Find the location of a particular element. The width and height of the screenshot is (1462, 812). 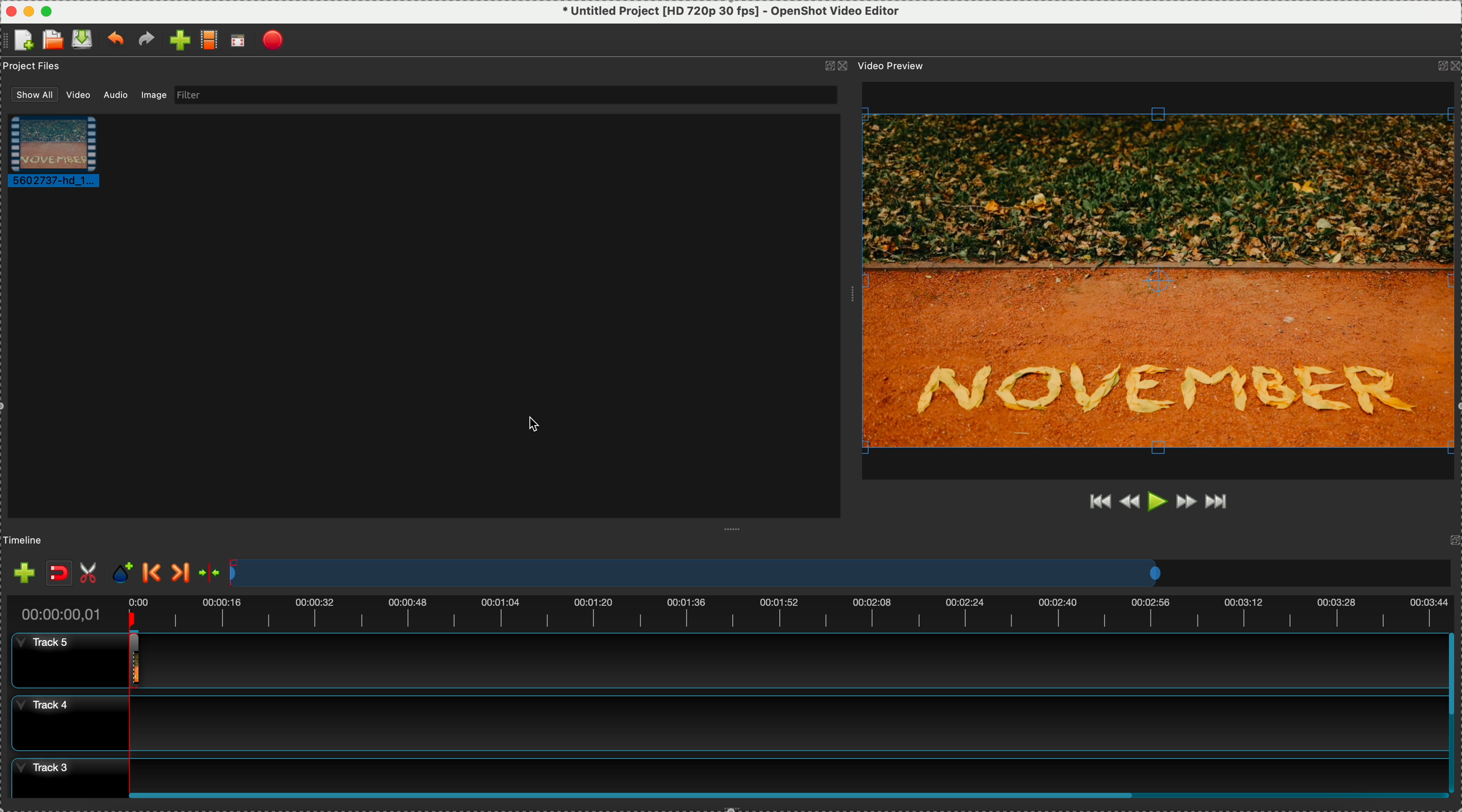

Window Expanding is located at coordinates (851, 294).